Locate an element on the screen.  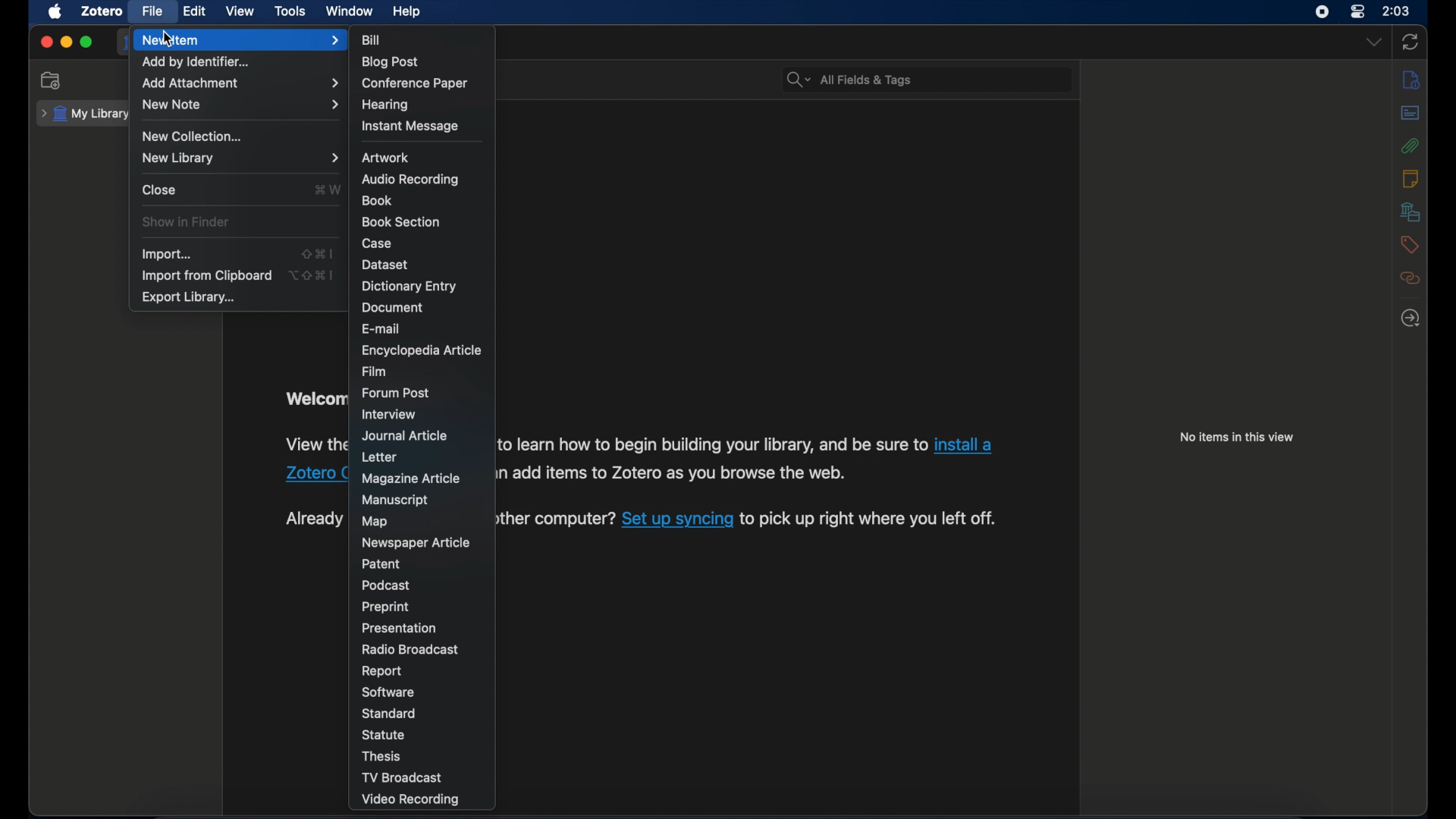
notes is located at coordinates (1410, 178).